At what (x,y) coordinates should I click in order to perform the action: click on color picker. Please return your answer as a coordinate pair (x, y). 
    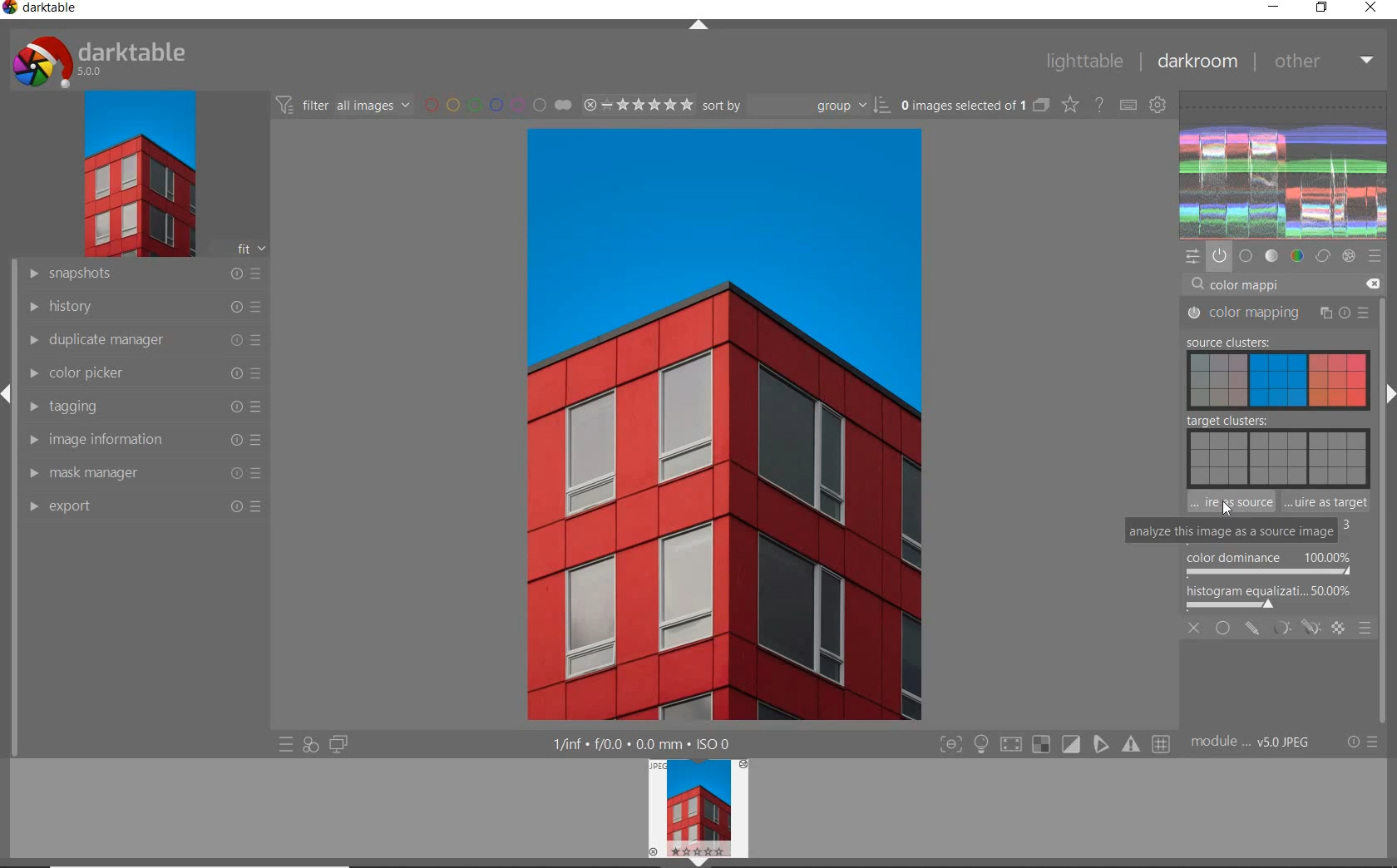
    Looking at the image, I should click on (144, 373).